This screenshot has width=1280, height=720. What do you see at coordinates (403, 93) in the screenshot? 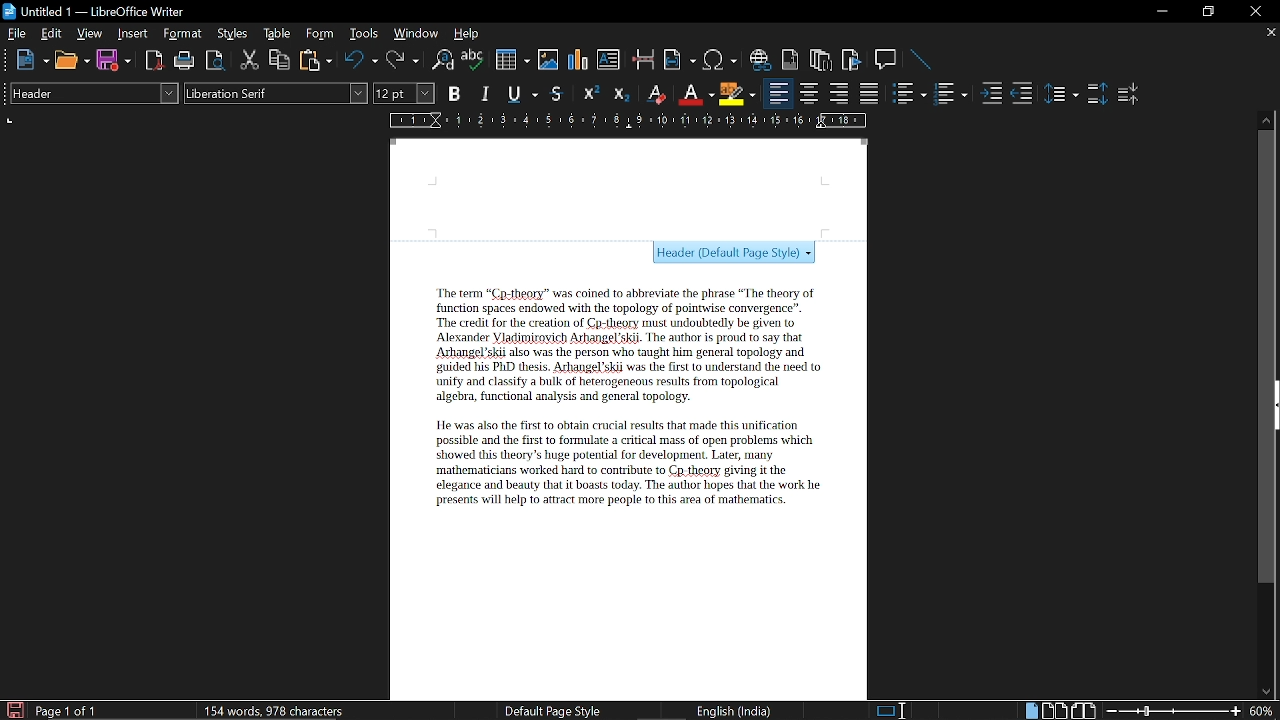
I see `Text size` at bounding box center [403, 93].